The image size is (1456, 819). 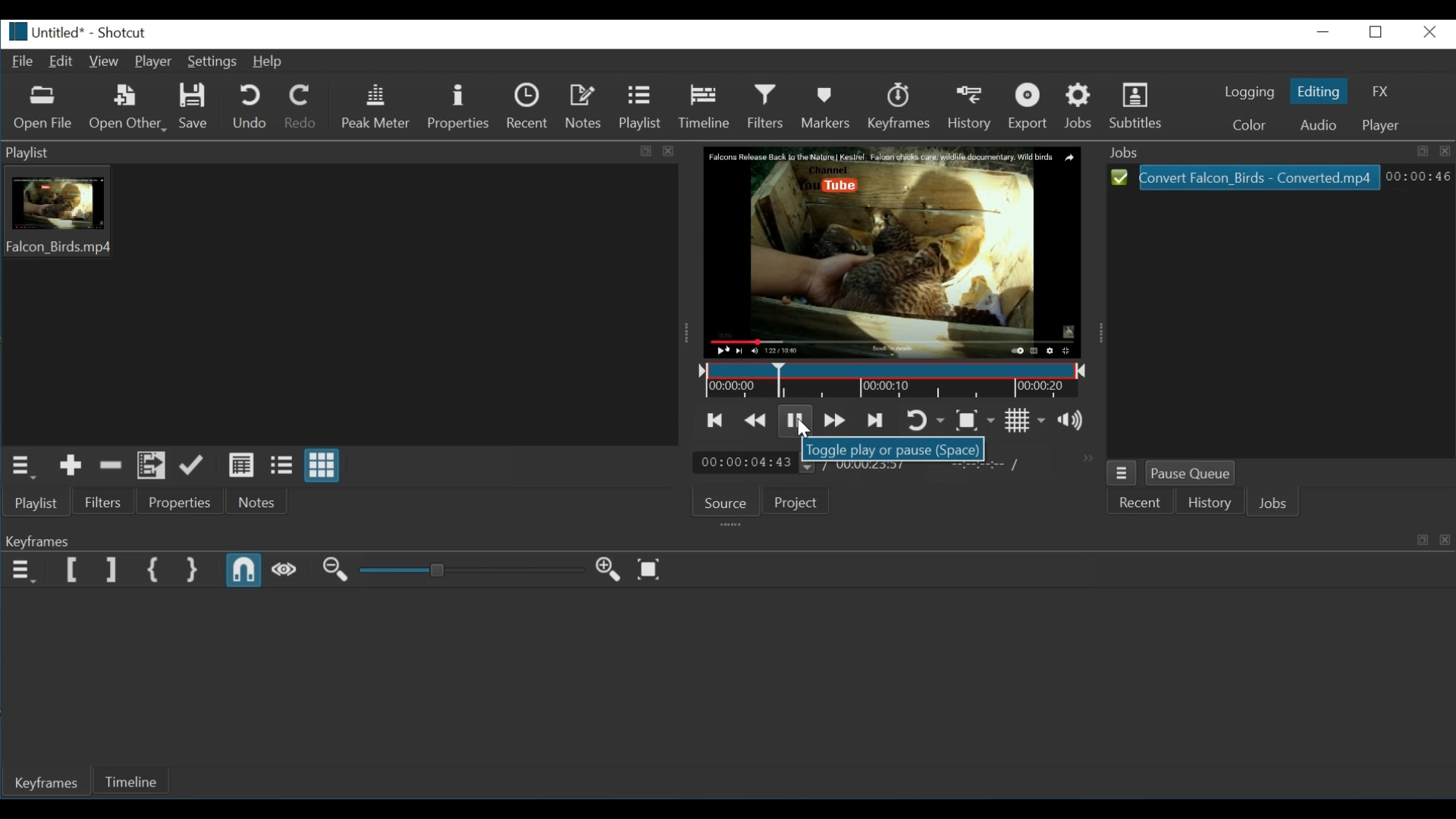 I want to click on Color, so click(x=1249, y=124).